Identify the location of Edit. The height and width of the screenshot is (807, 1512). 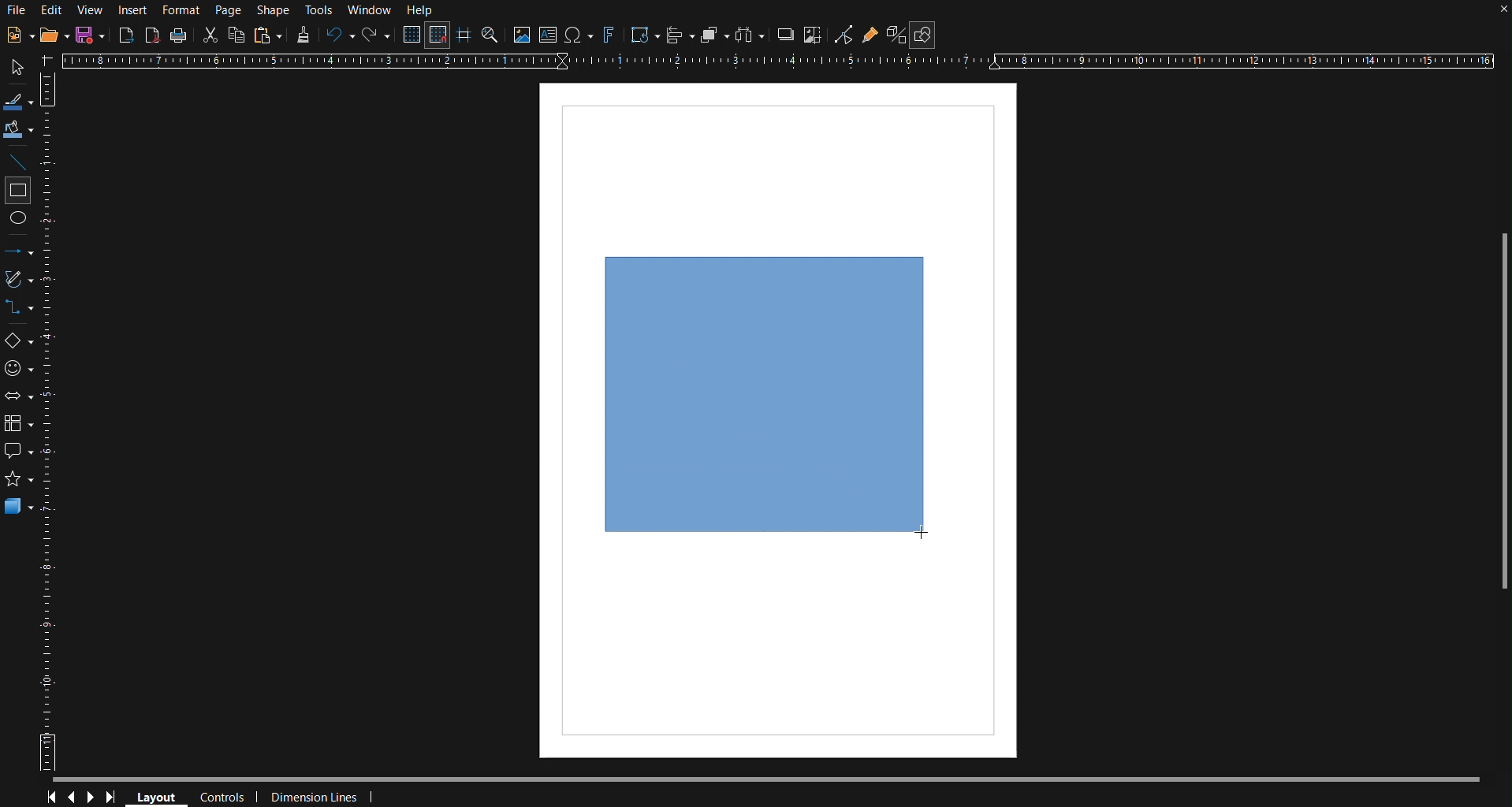
(51, 11).